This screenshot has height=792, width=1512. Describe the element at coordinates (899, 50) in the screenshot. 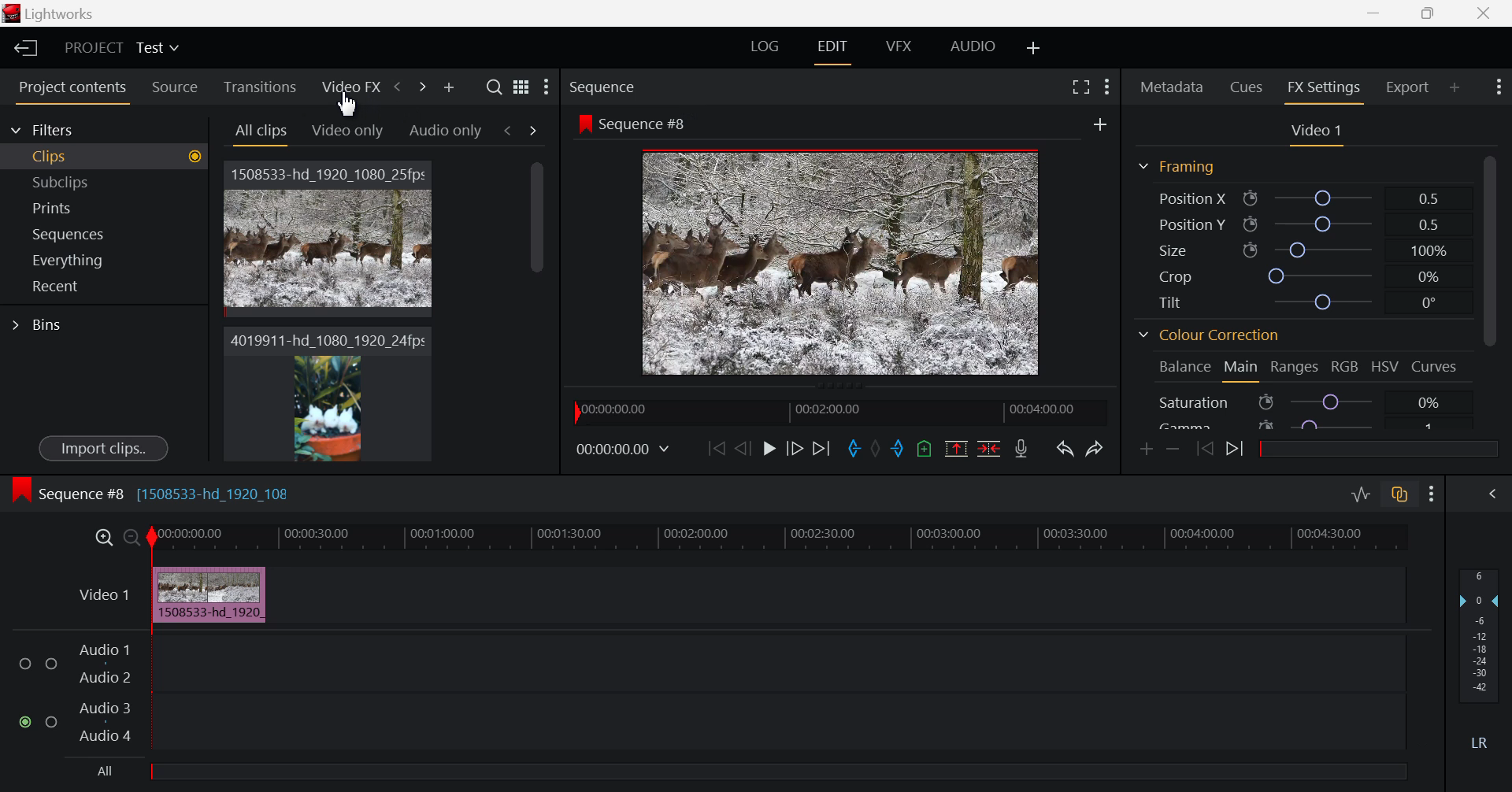

I see `VFX` at that location.